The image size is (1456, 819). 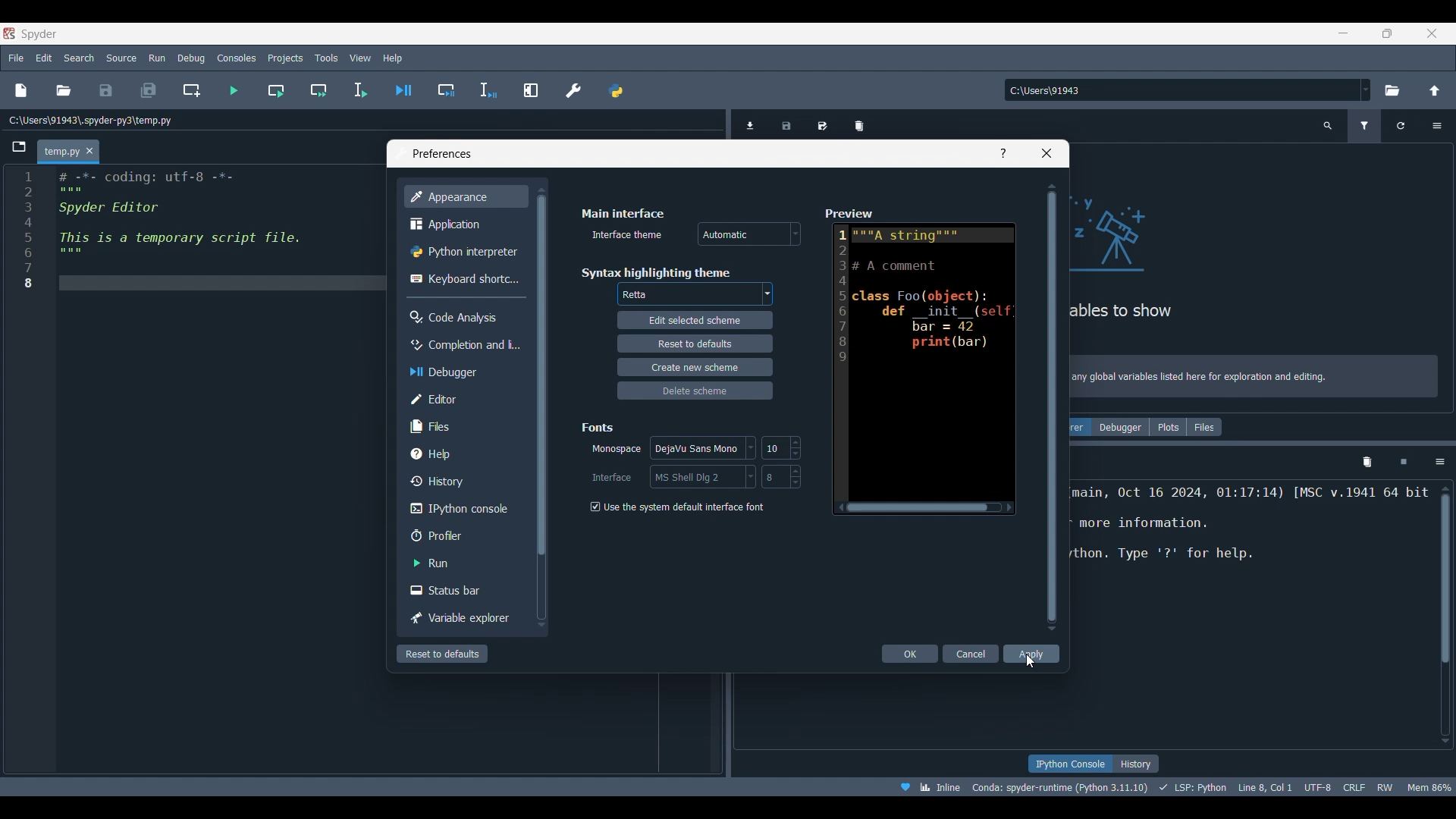 I want to click on Indicates Monospace settings, so click(x=617, y=450).